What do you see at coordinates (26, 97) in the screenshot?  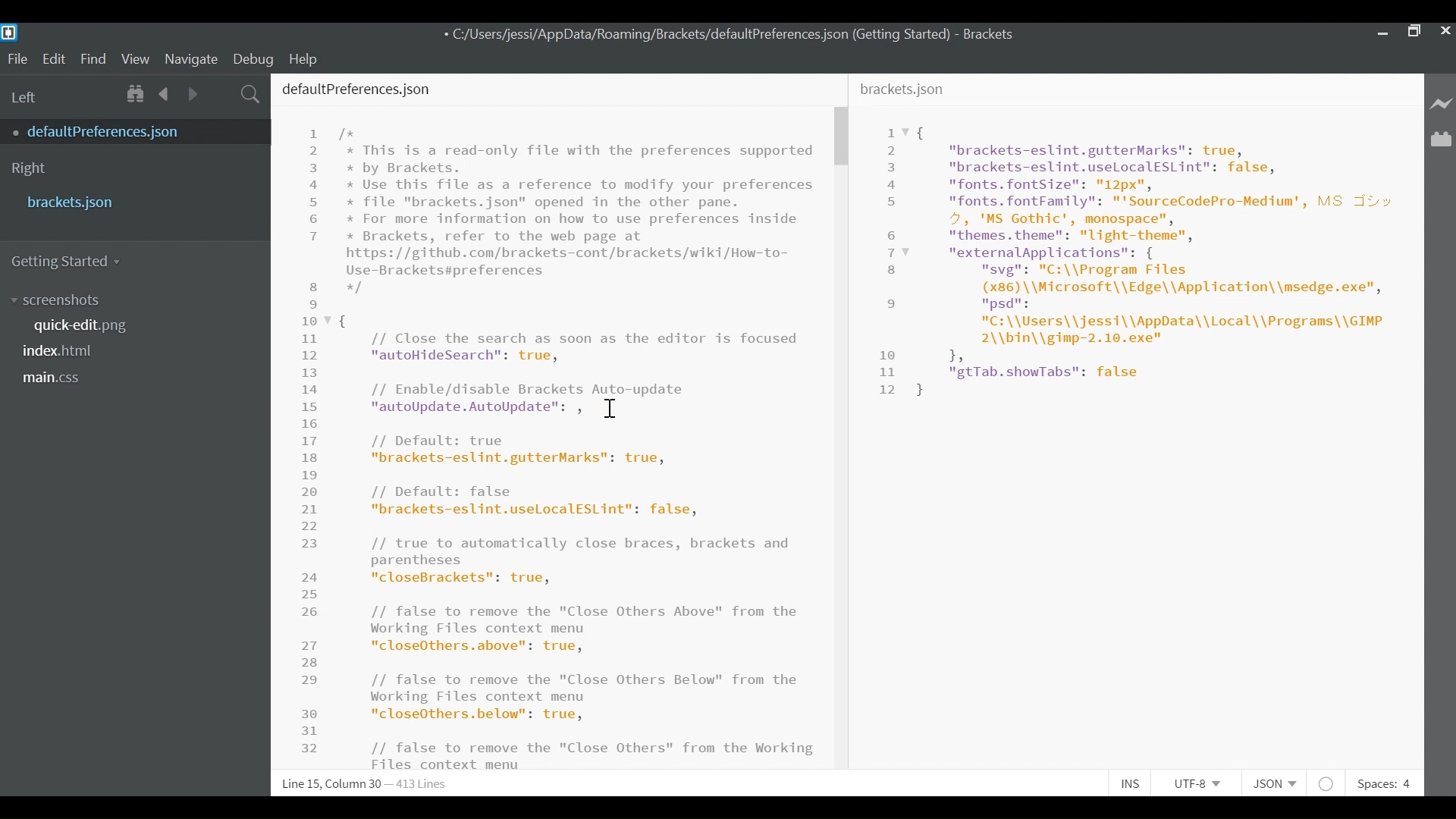 I see `Left` at bounding box center [26, 97].